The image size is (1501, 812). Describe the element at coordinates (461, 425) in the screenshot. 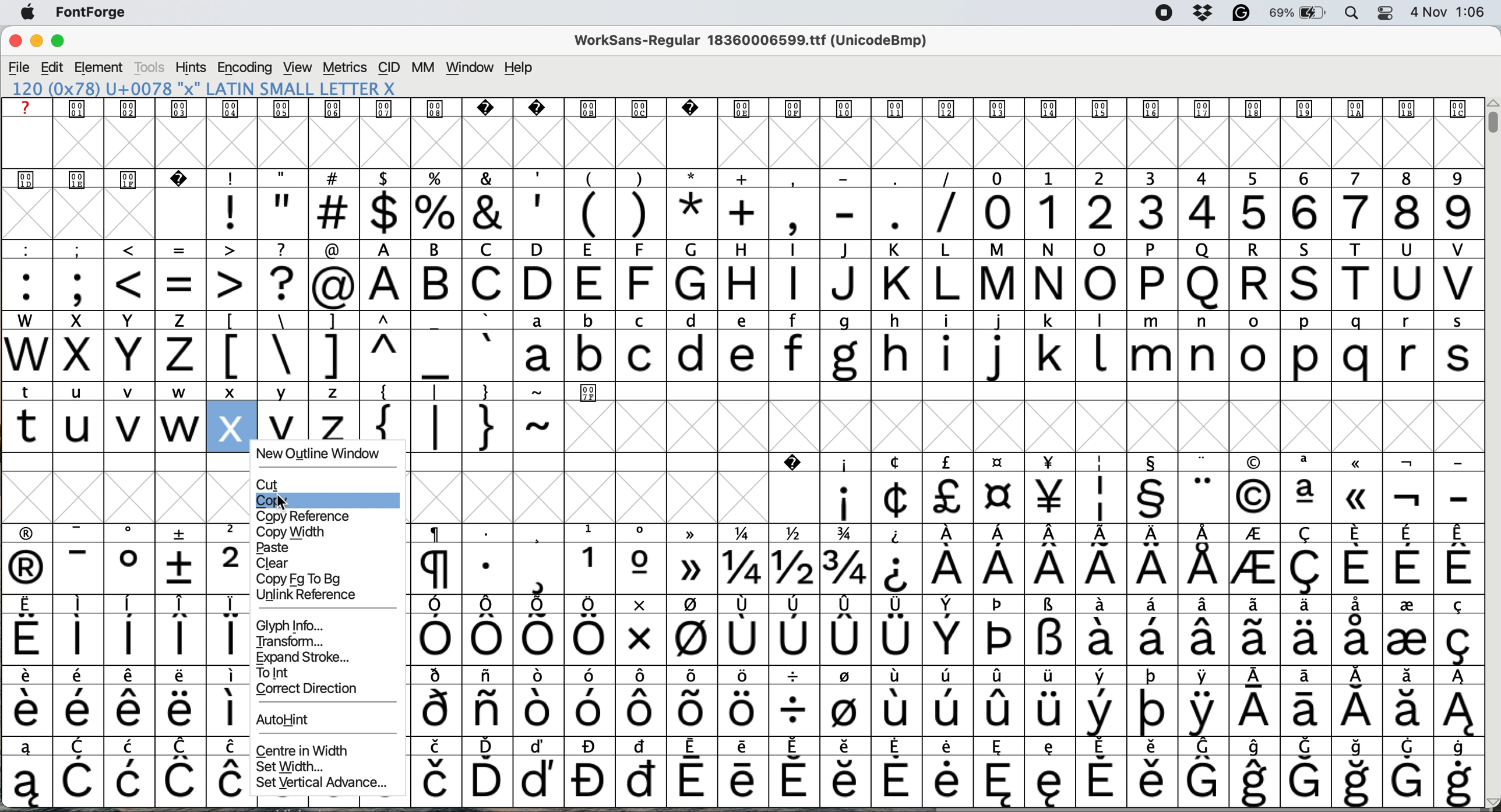

I see `special characters` at that location.